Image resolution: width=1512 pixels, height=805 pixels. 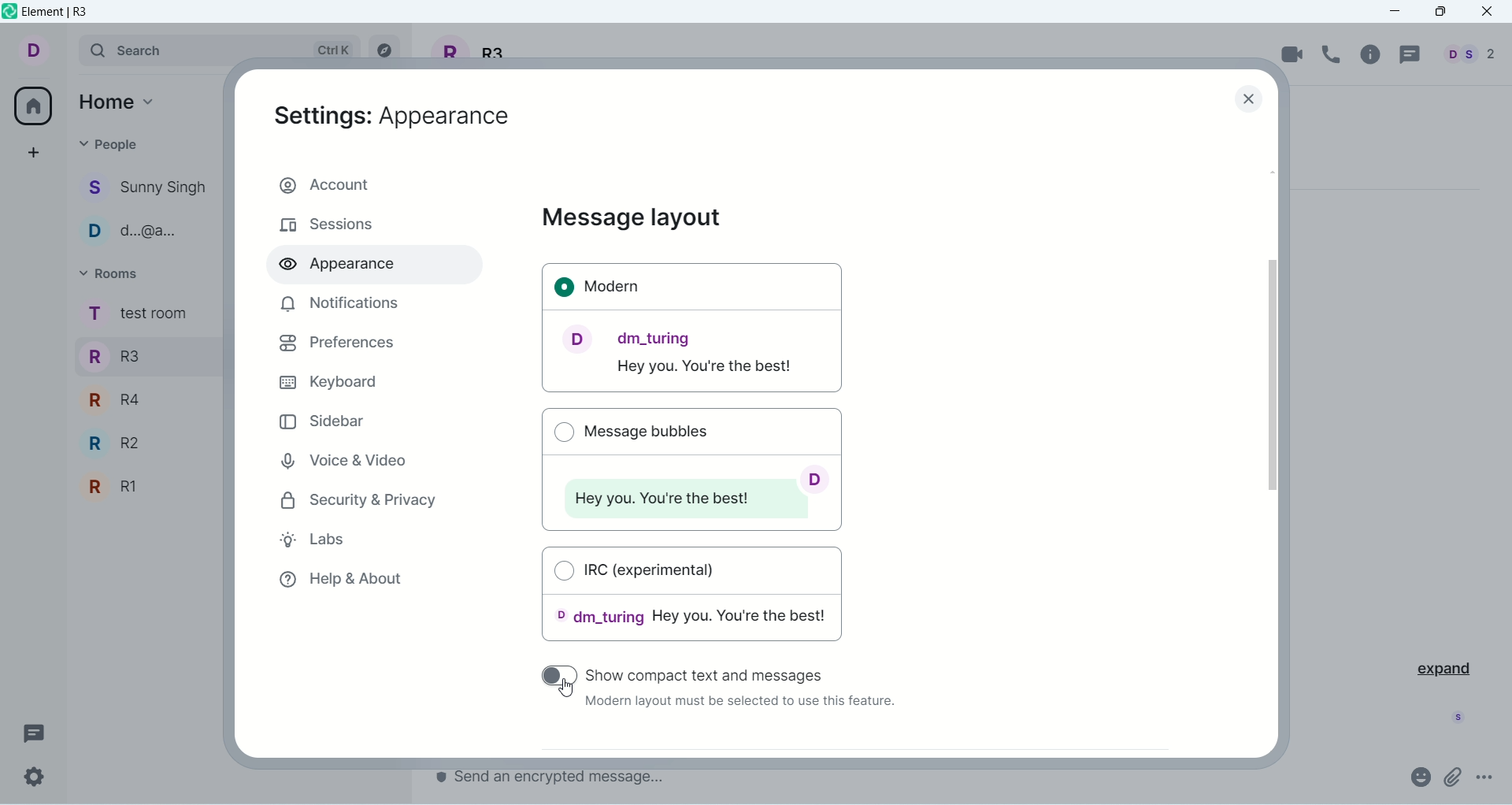 What do you see at coordinates (327, 226) in the screenshot?
I see `sessions` at bounding box center [327, 226].